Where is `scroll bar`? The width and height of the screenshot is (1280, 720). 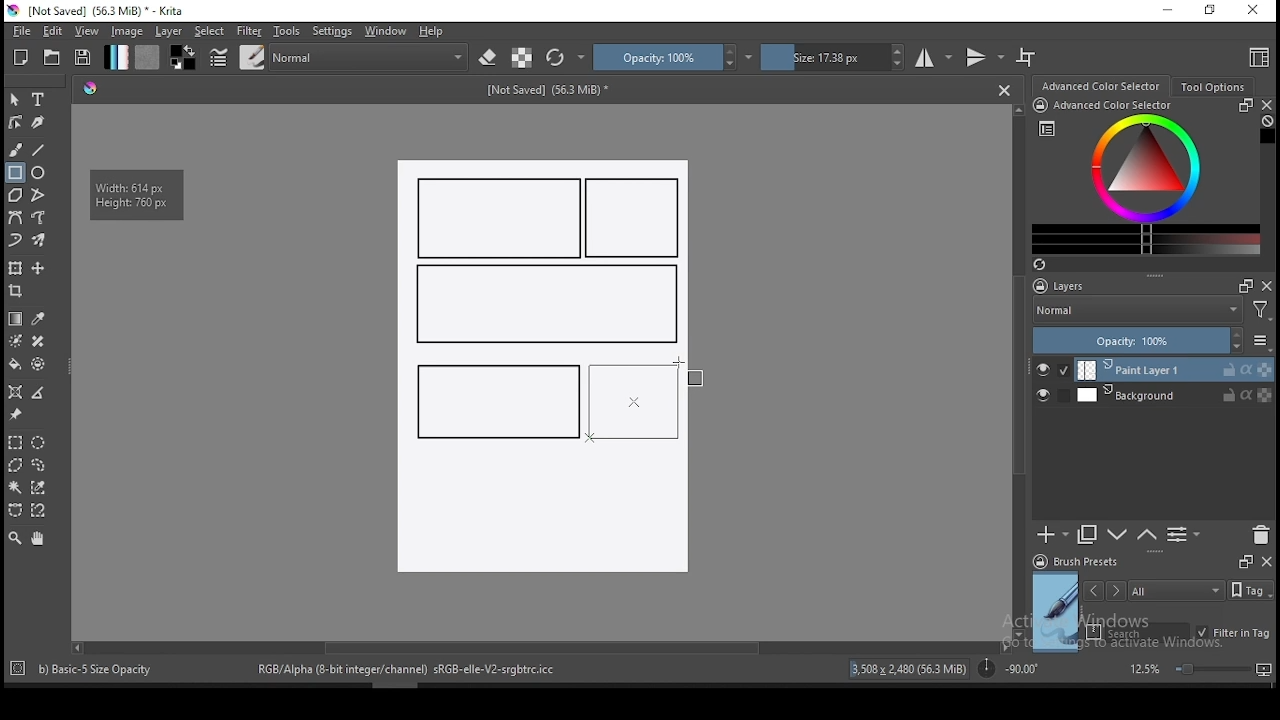 scroll bar is located at coordinates (1020, 370).